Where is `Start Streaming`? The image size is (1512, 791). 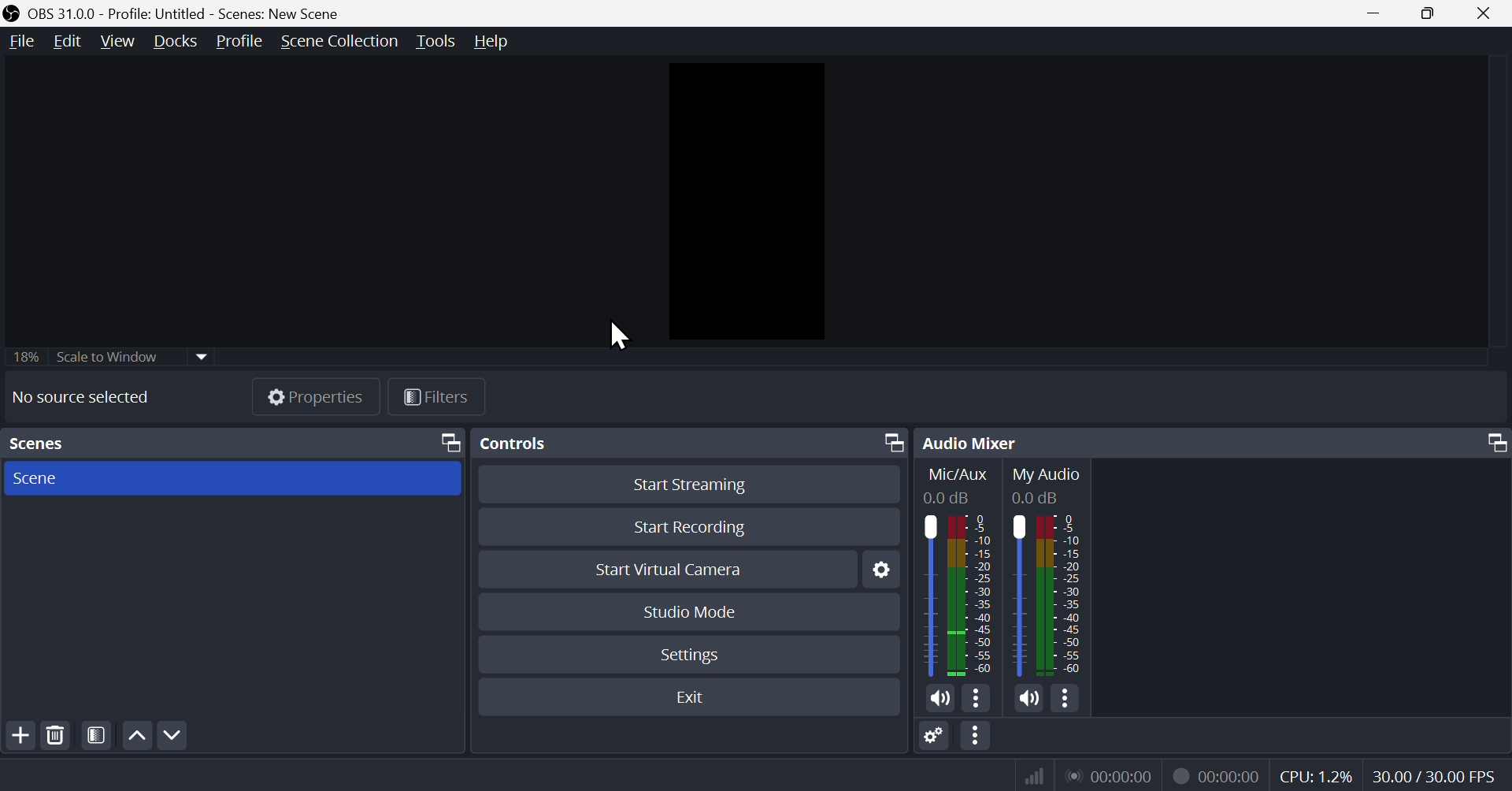 Start Streaming is located at coordinates (691, 483).